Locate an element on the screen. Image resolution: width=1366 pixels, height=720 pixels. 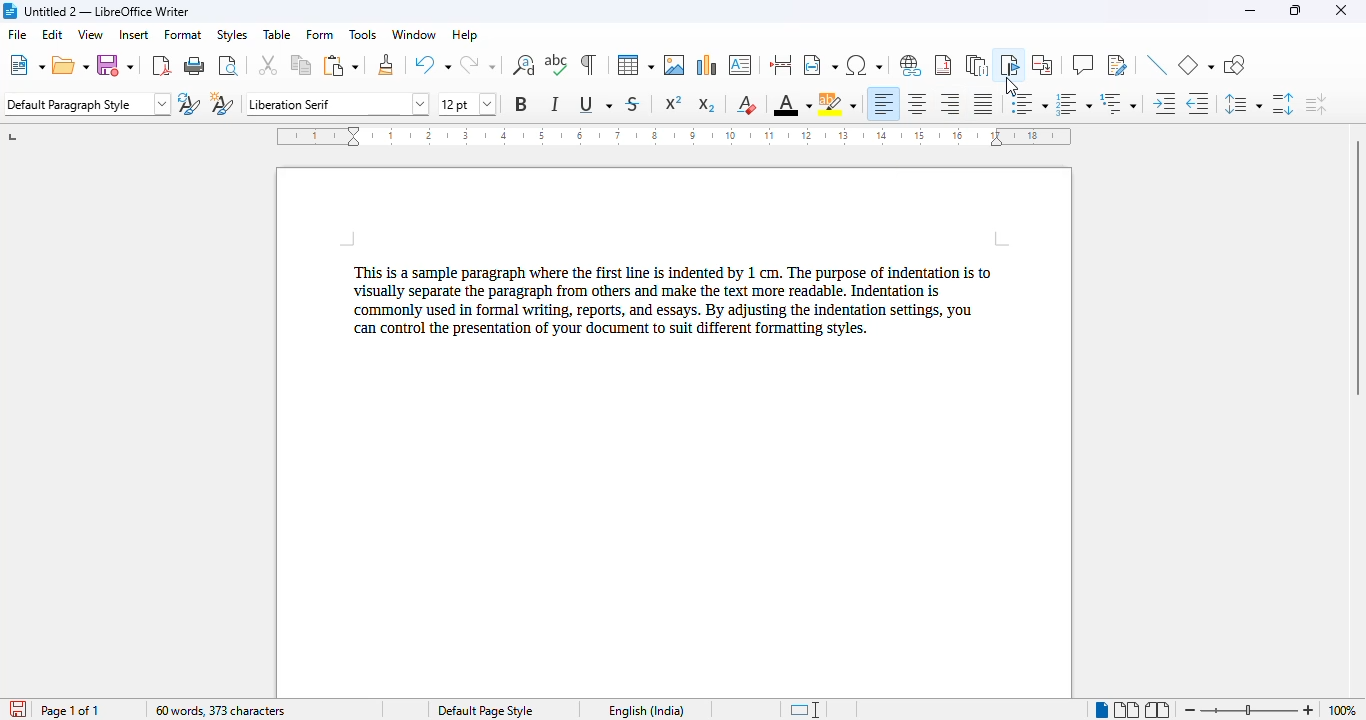
underline is located at coordinates (595, 103).